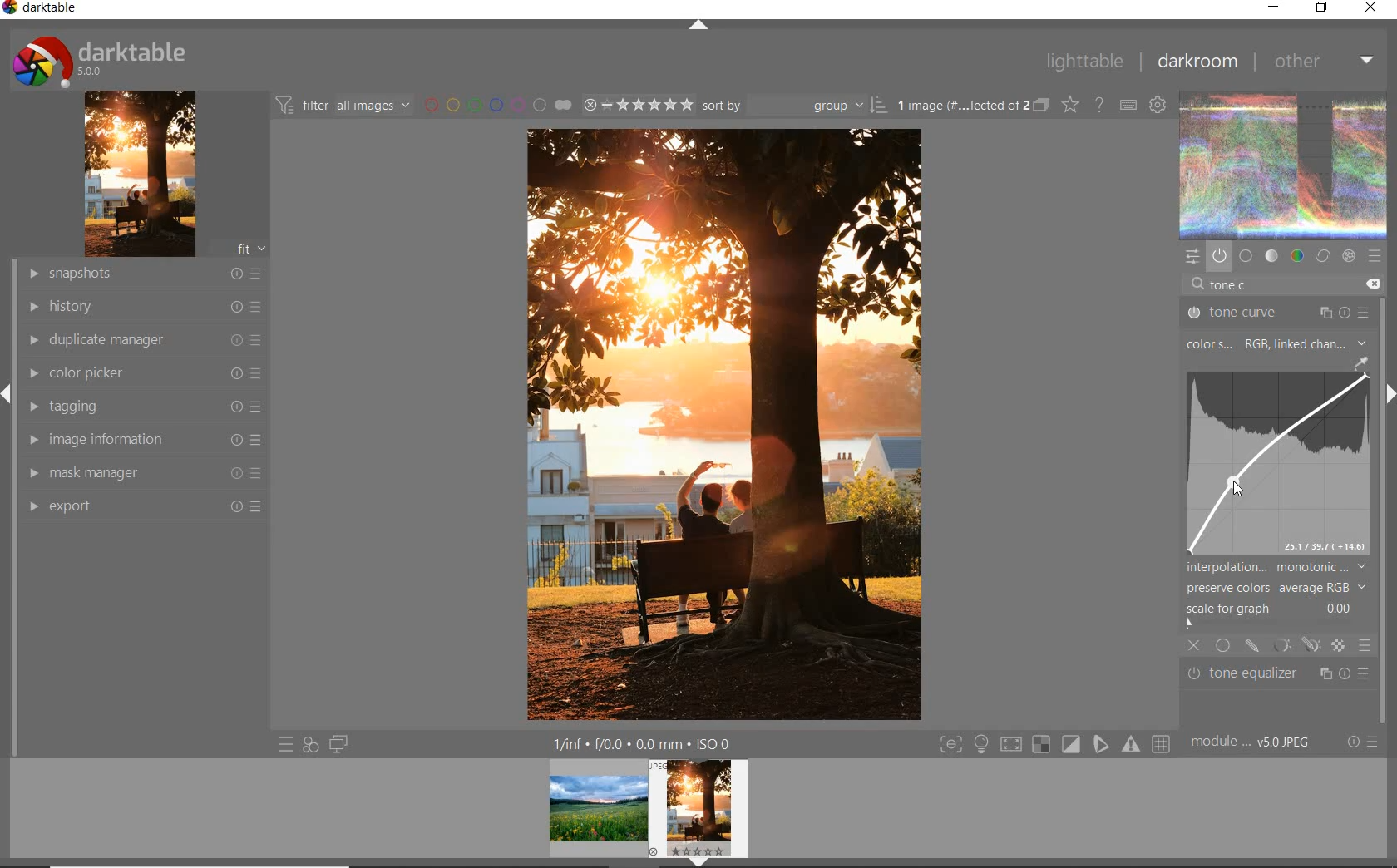 The height and width of the screenshot is (868, 1397). I want to click on scale for graph, so click(1272, 609).